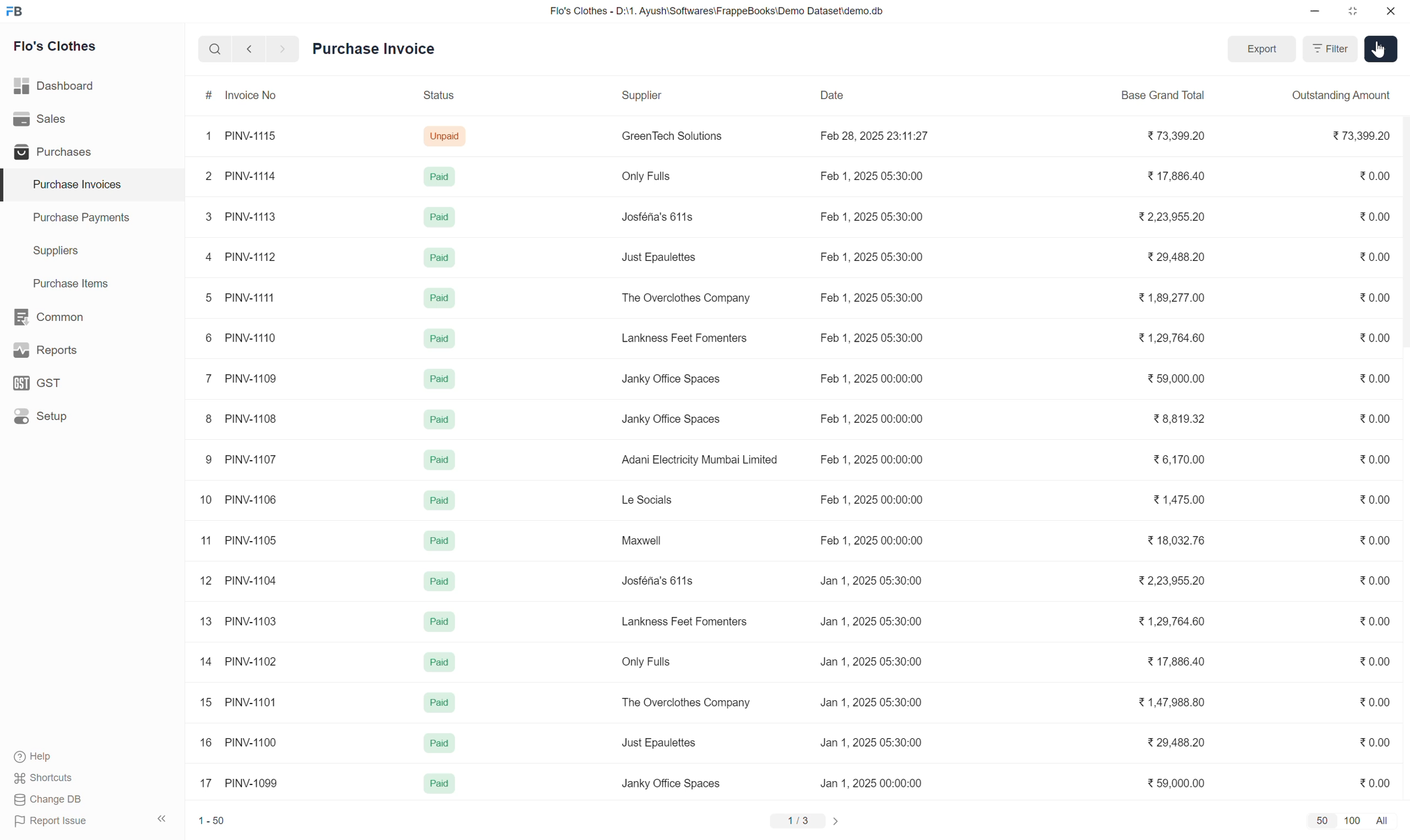  Describe the element at coordinates (1377, 259) in the screenshot. I see `0.00` at that location.